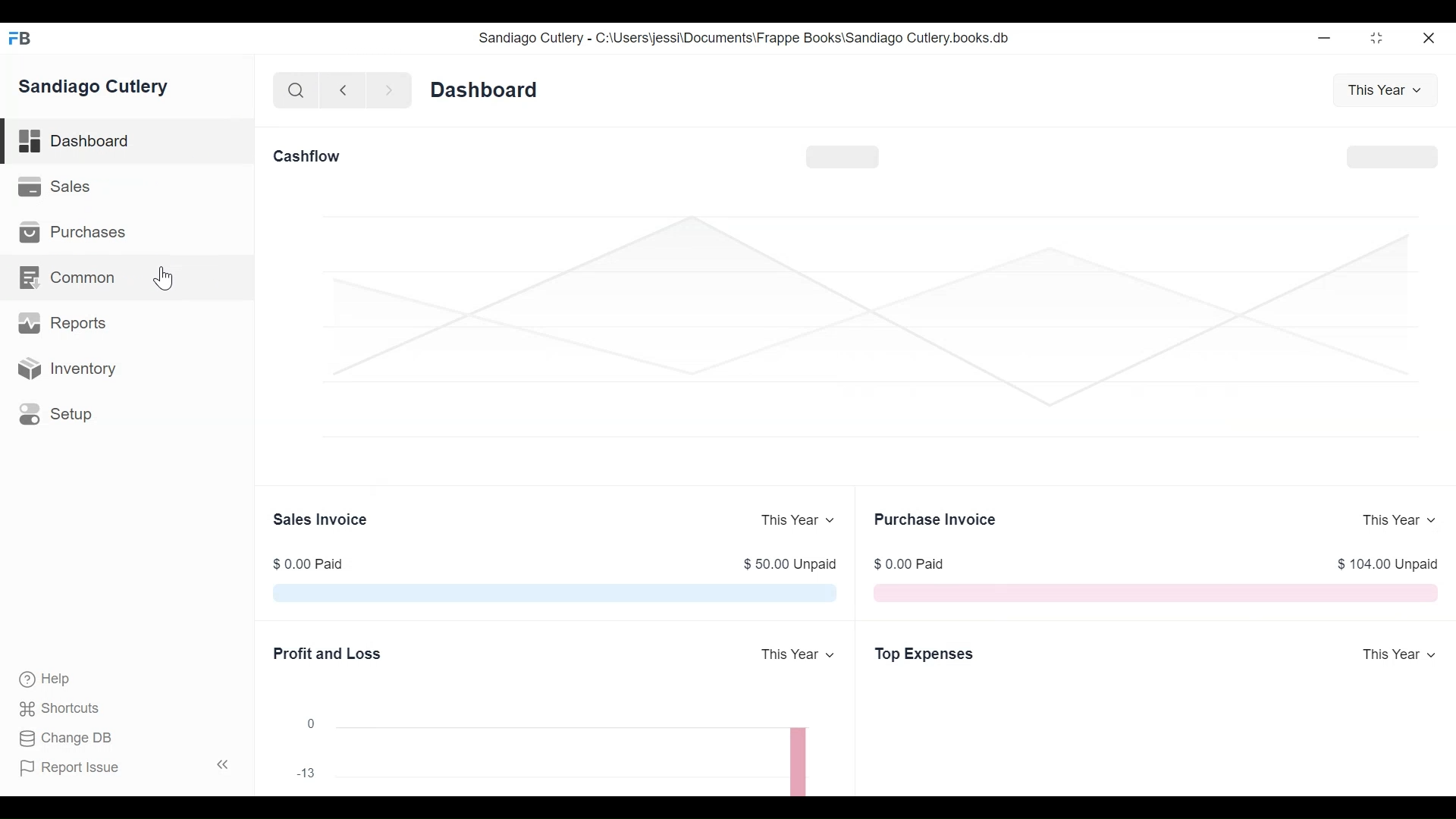 The height and width of the screenshot is (819, 1456). What do you see at coordinates (1381, 90) in the screenshot?
I see `This Year ` at bounding box center [1381, 90].